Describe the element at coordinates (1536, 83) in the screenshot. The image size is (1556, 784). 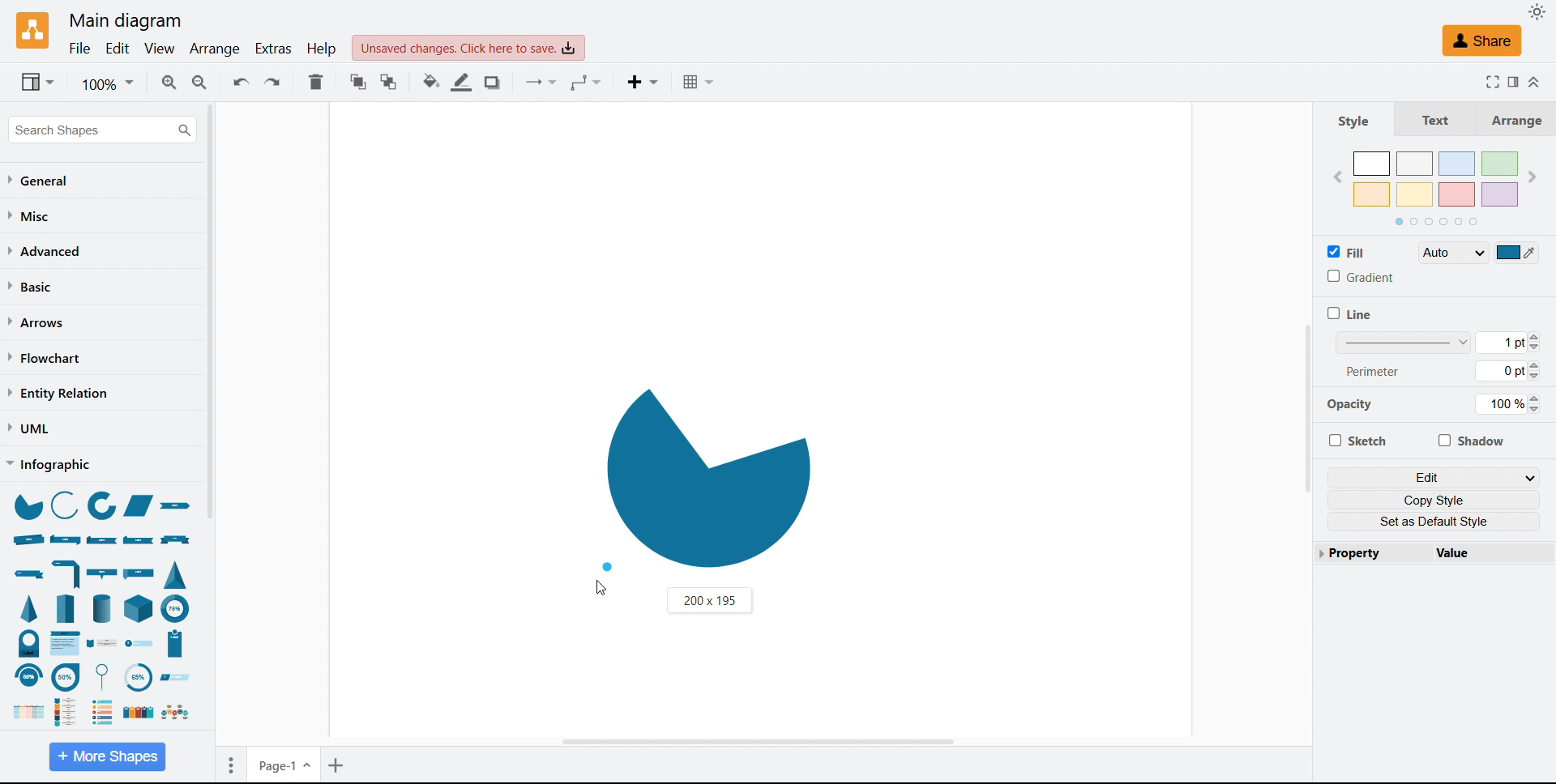
I see `Collapse ` at that location.